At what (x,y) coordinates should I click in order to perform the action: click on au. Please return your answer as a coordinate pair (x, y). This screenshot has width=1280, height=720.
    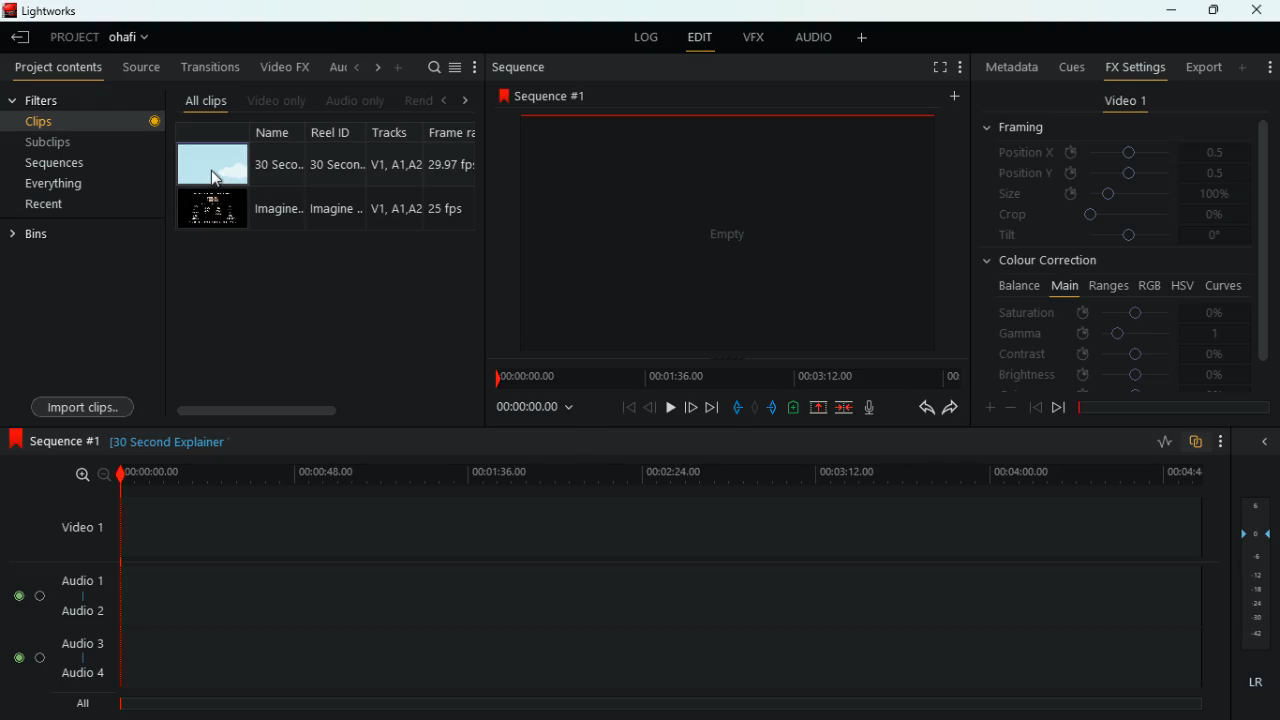
    Looking at the image, I should click on (331, 65).